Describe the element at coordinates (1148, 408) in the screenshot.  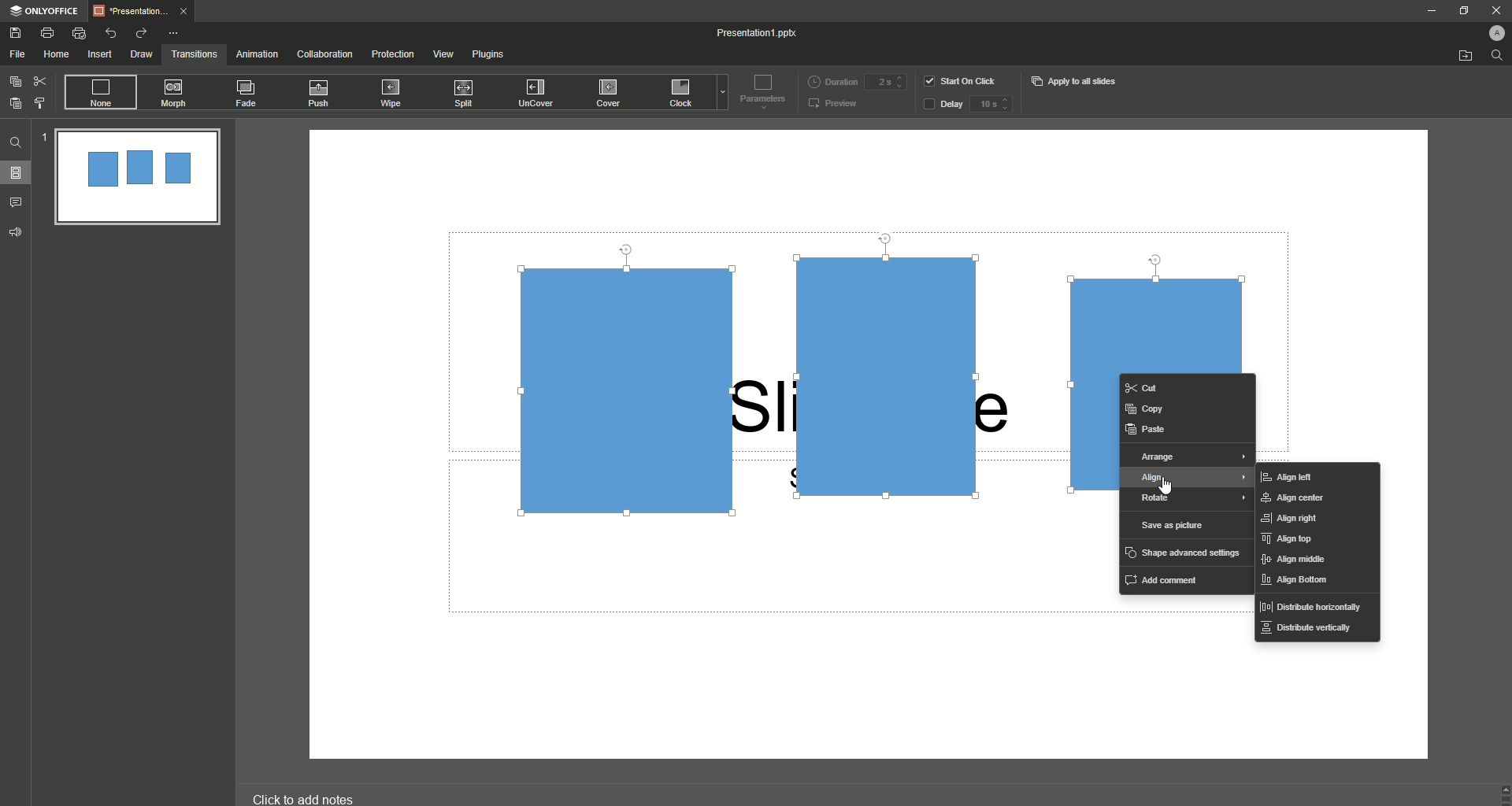
I see `Copy` at that location.